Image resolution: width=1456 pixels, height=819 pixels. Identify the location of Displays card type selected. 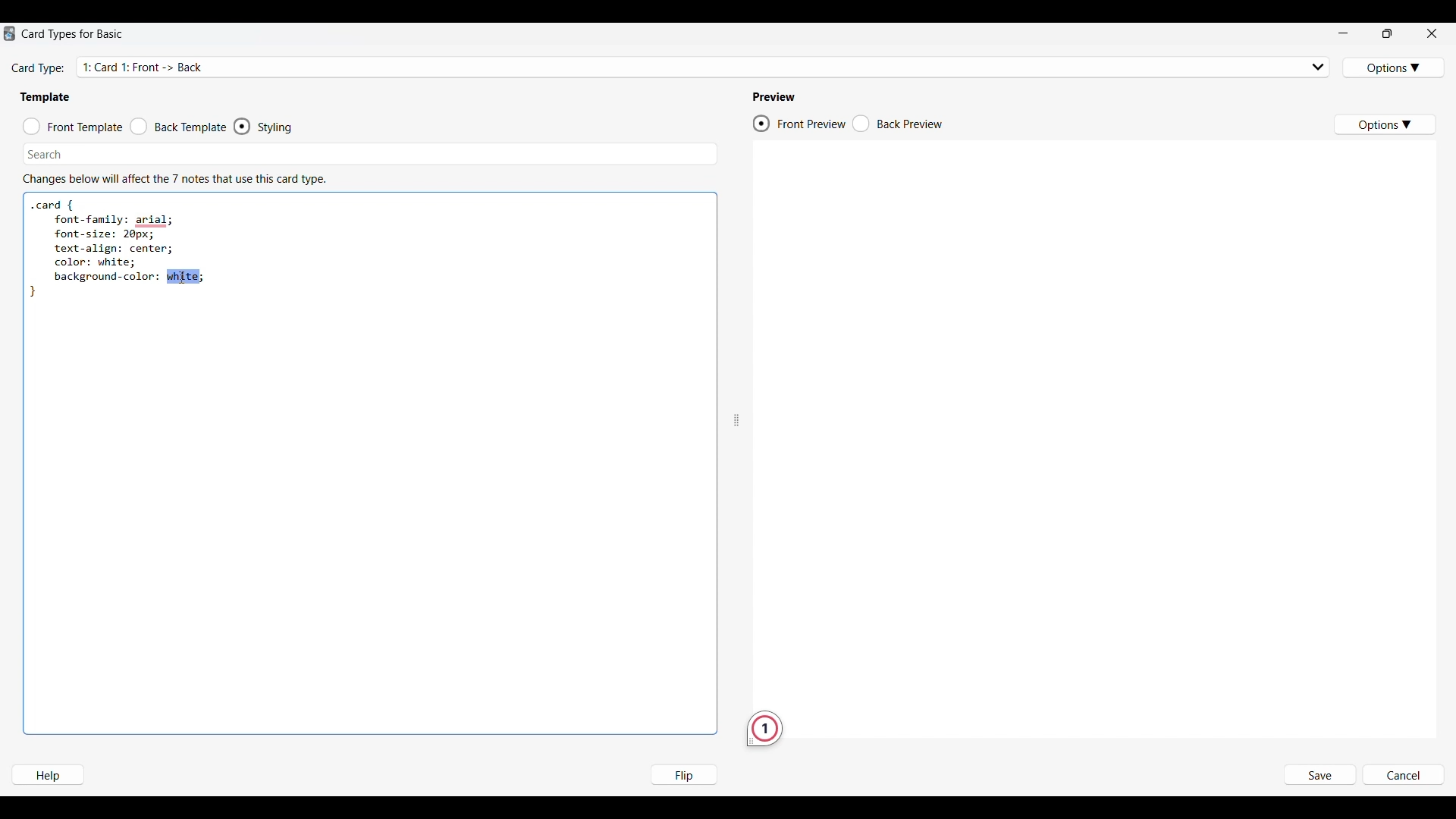
(705, 66).